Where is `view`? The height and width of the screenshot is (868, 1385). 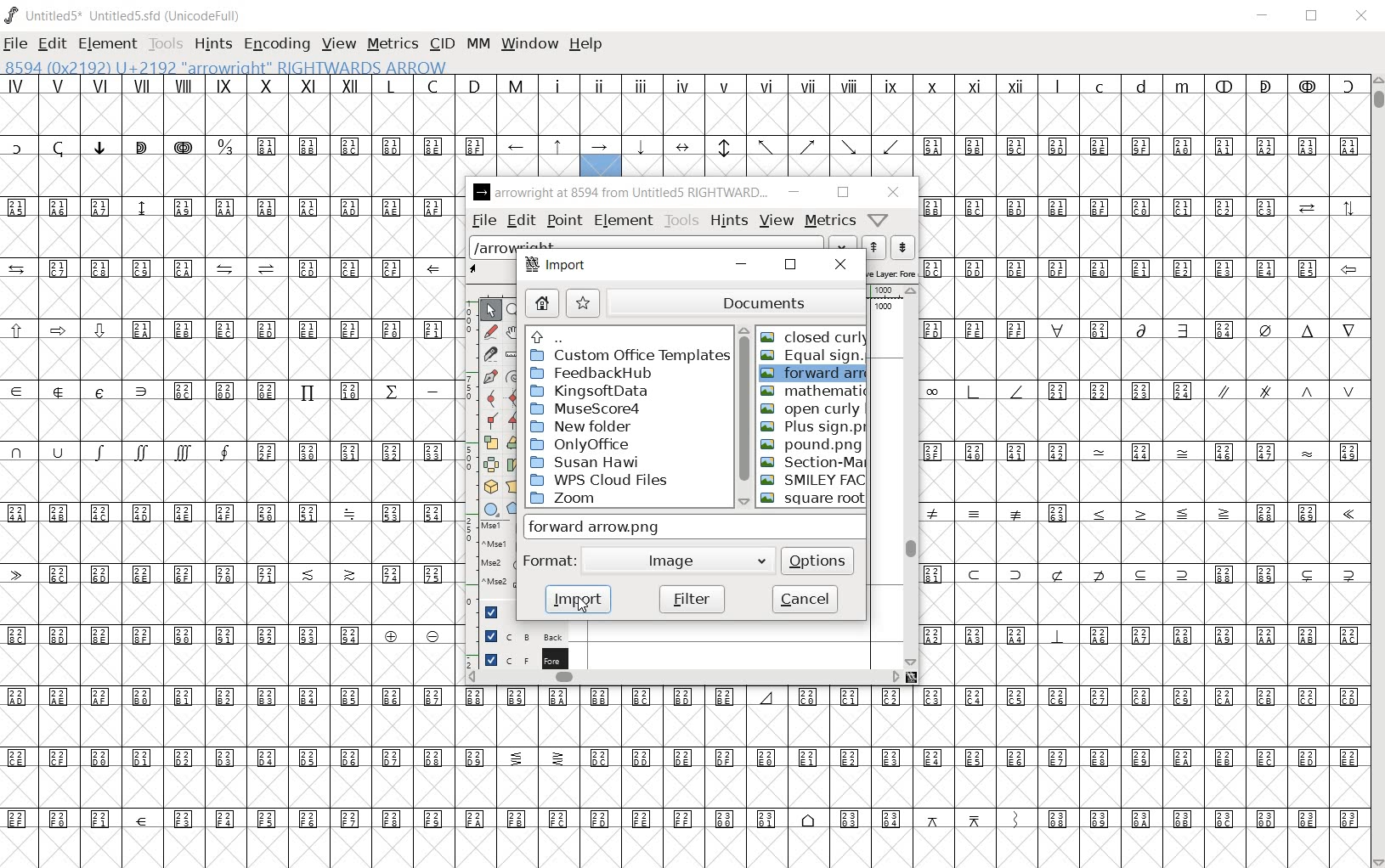 view is located at coordinates (778, 220).